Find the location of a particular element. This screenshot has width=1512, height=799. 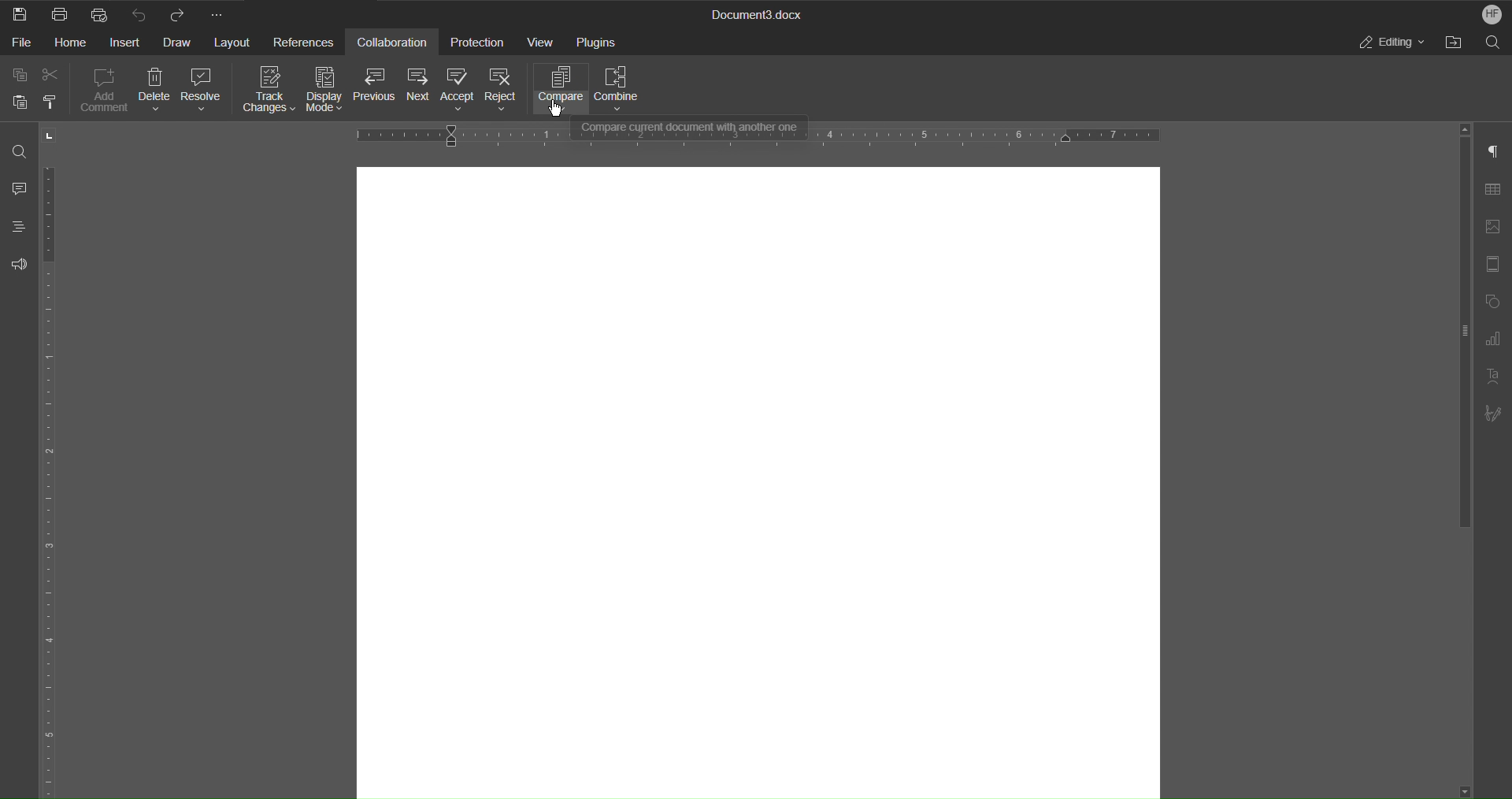

Delete is located at coordinates (156, 88).